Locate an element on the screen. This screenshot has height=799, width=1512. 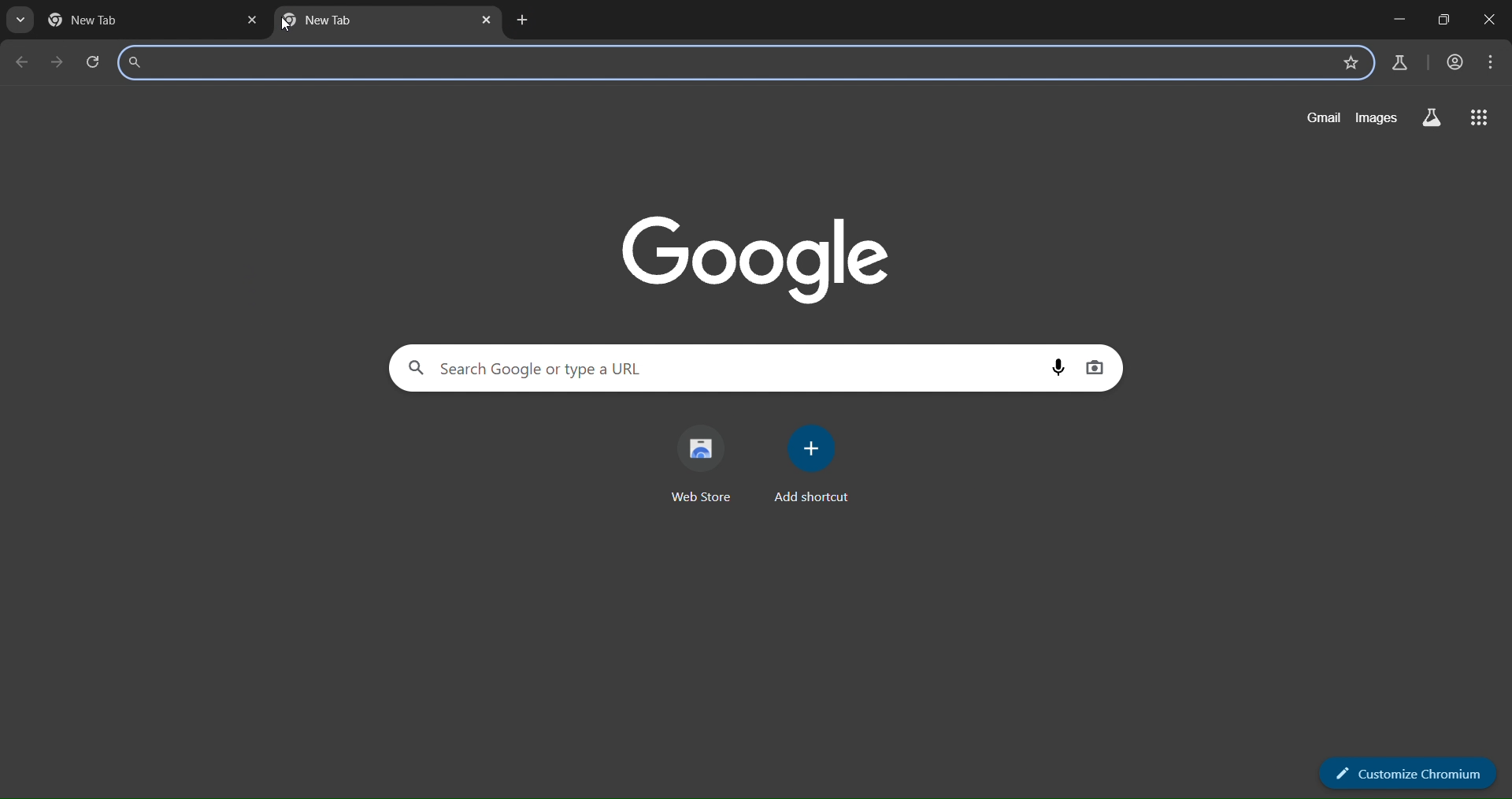
account is located at coordinates (1456, 64).